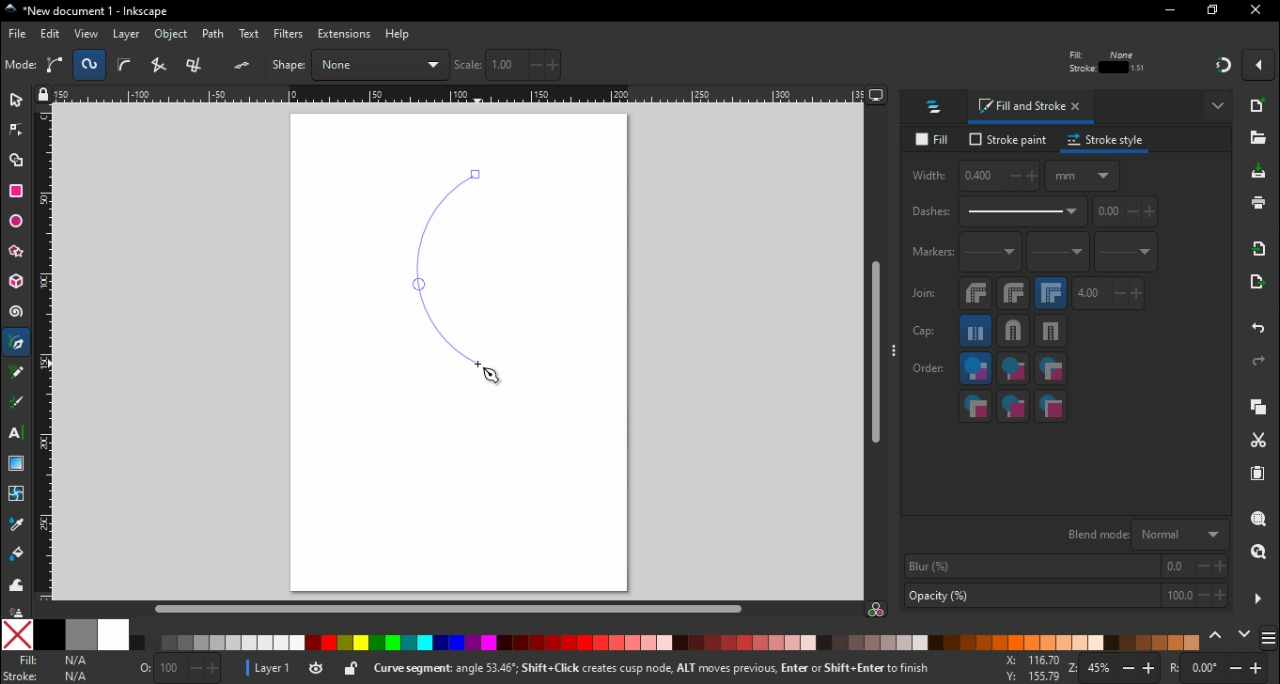 Image resolution: width=1280 pixels, height=684 pixels. What do you see at coordinates (1259, 143) in the screenshot?
I see `open file dialogue` at bounding box center [1259, 143].